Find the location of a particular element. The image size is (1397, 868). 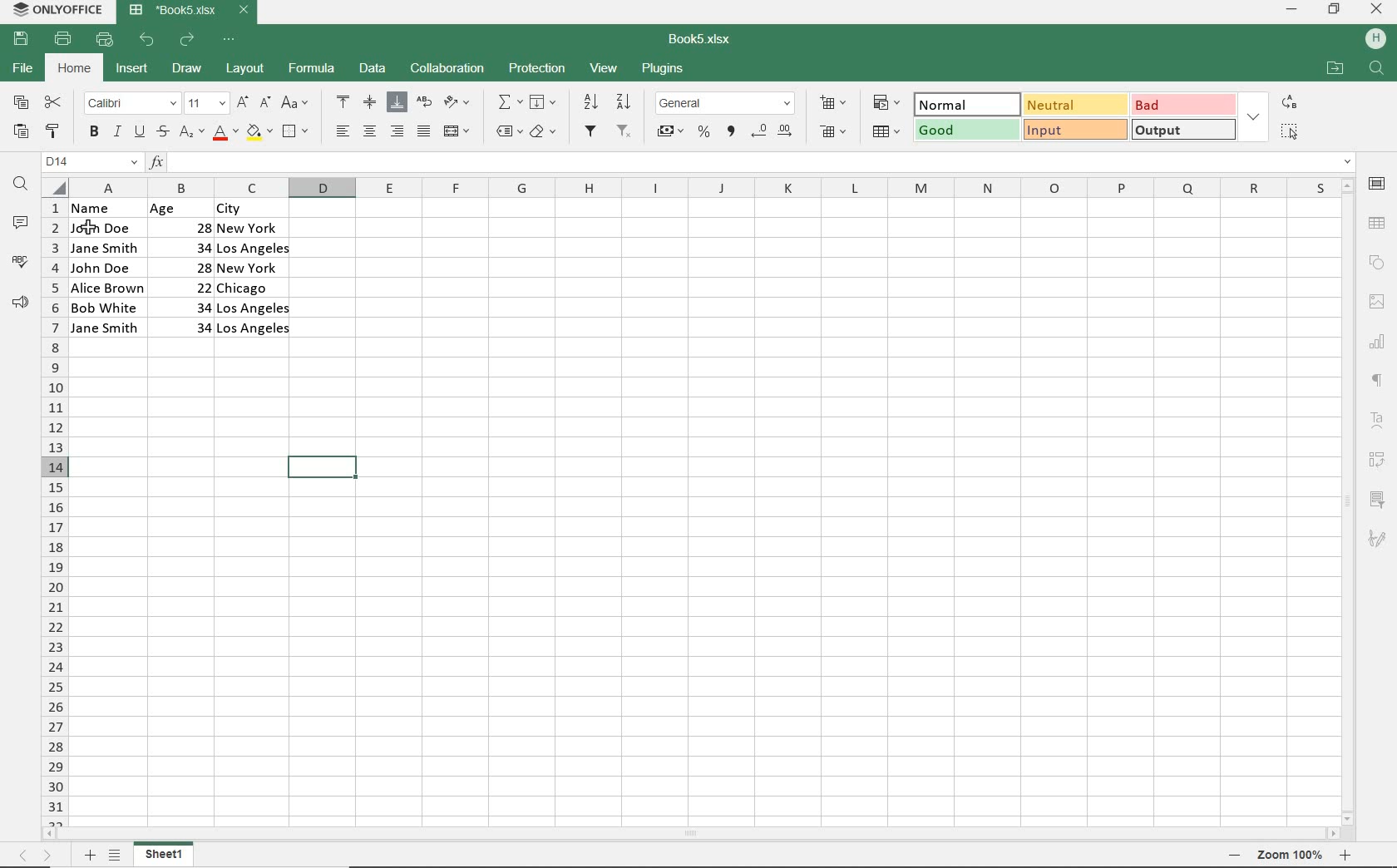

QUICK PRINT is located at coordinates (105, 40).